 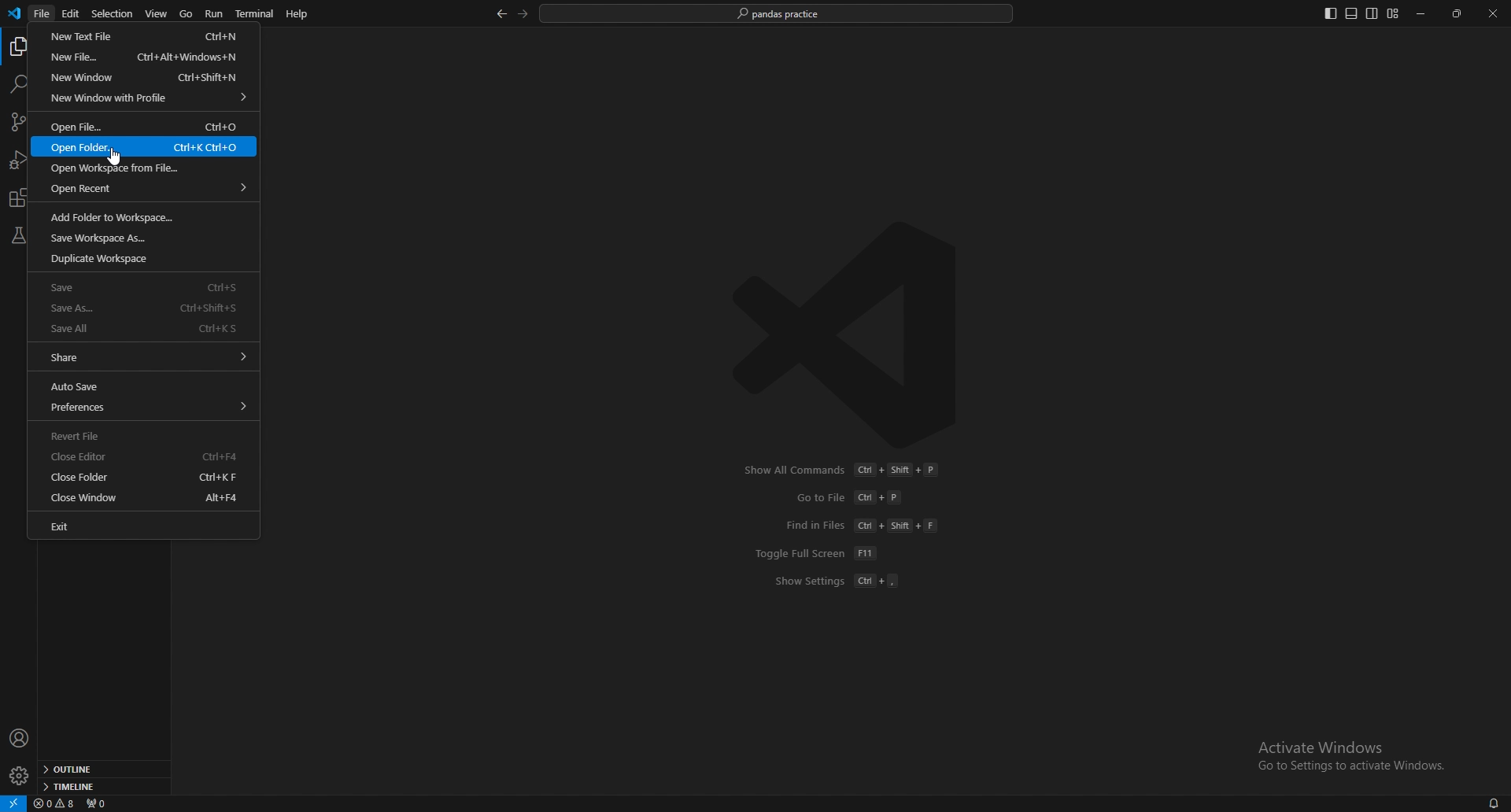 I want to click on open recent, so click(x=146, y=188).